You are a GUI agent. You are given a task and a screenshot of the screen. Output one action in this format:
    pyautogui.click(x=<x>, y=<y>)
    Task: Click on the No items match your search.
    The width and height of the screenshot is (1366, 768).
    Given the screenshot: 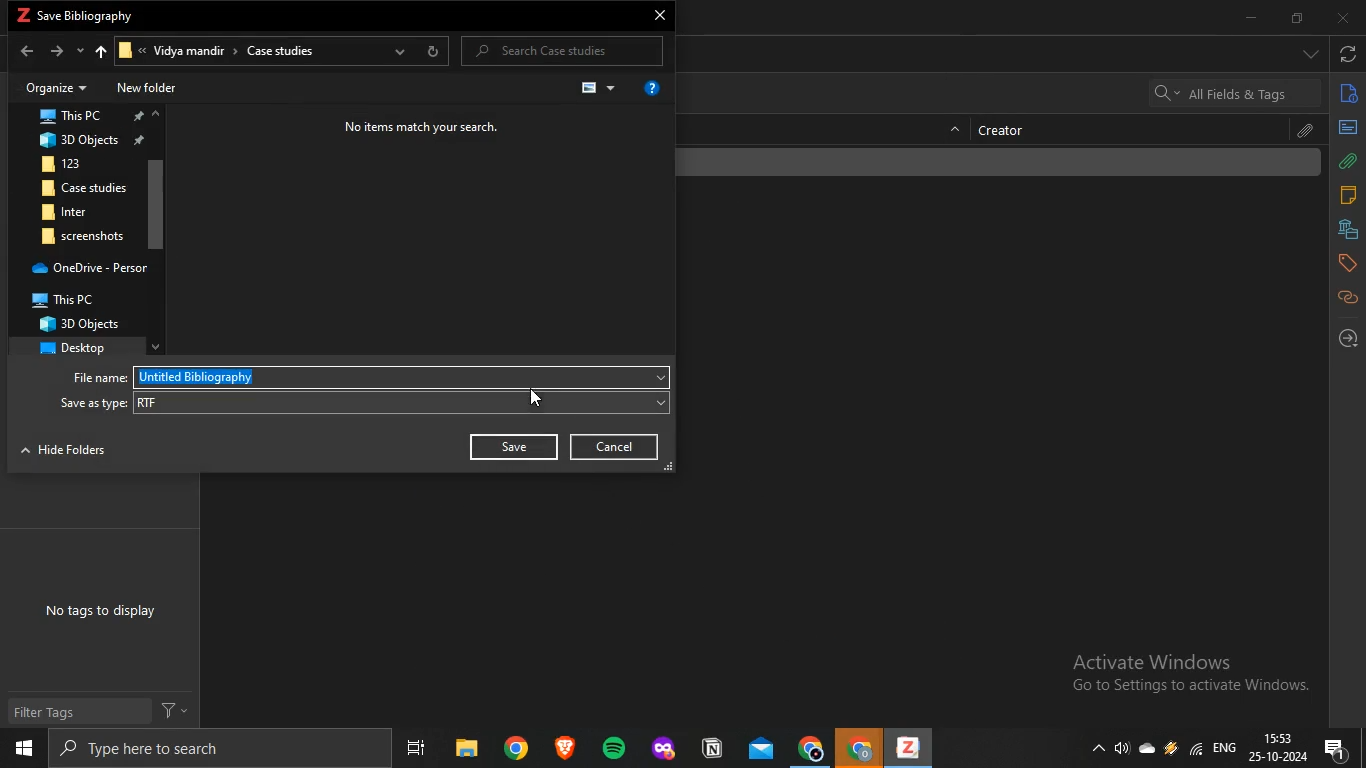 What is the action you would take?
    pyautogui.click(x=426, y=131)
    